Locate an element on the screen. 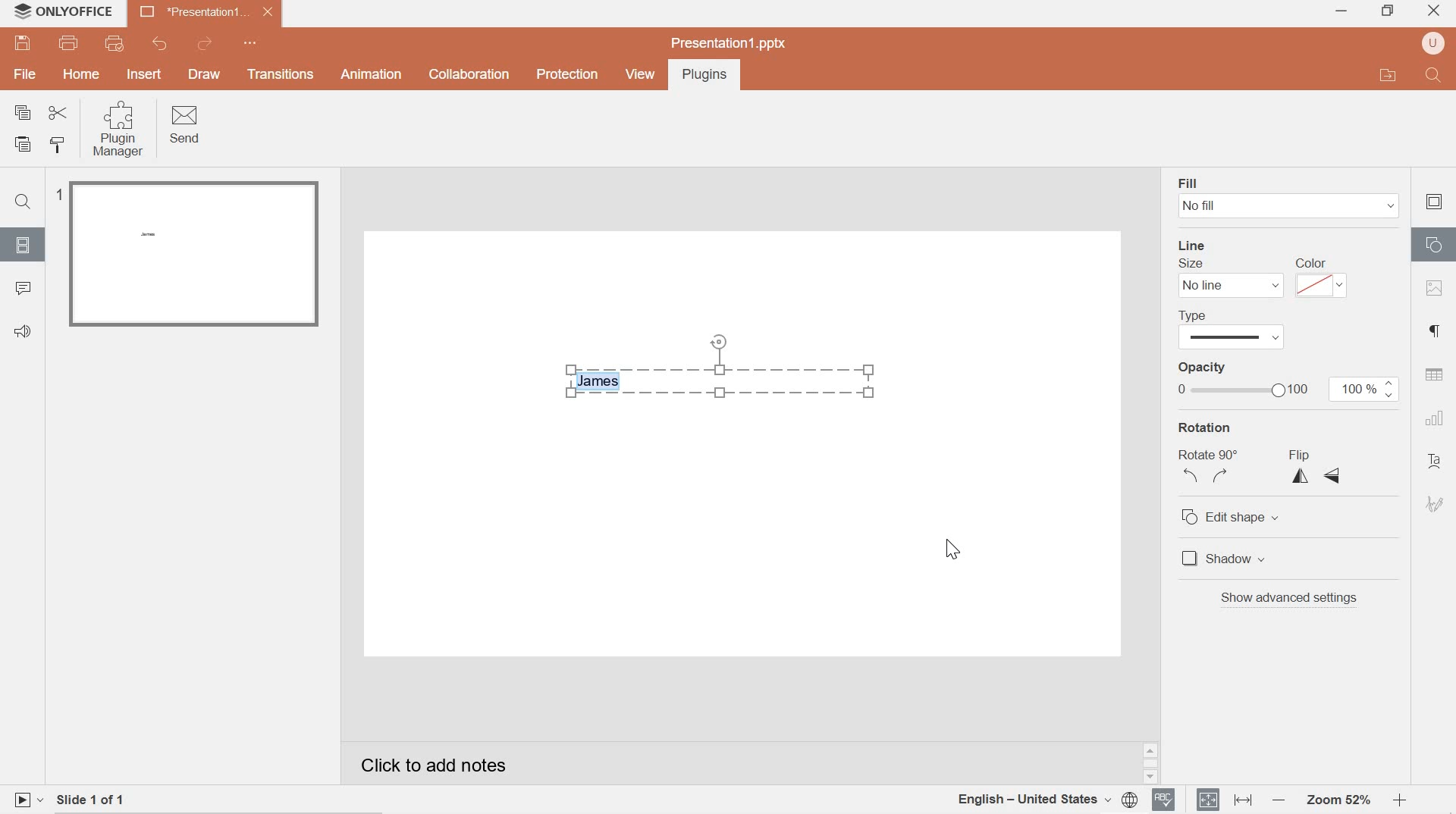 The image size is (1456, 814). line type is located at coordinates (1228, 327).